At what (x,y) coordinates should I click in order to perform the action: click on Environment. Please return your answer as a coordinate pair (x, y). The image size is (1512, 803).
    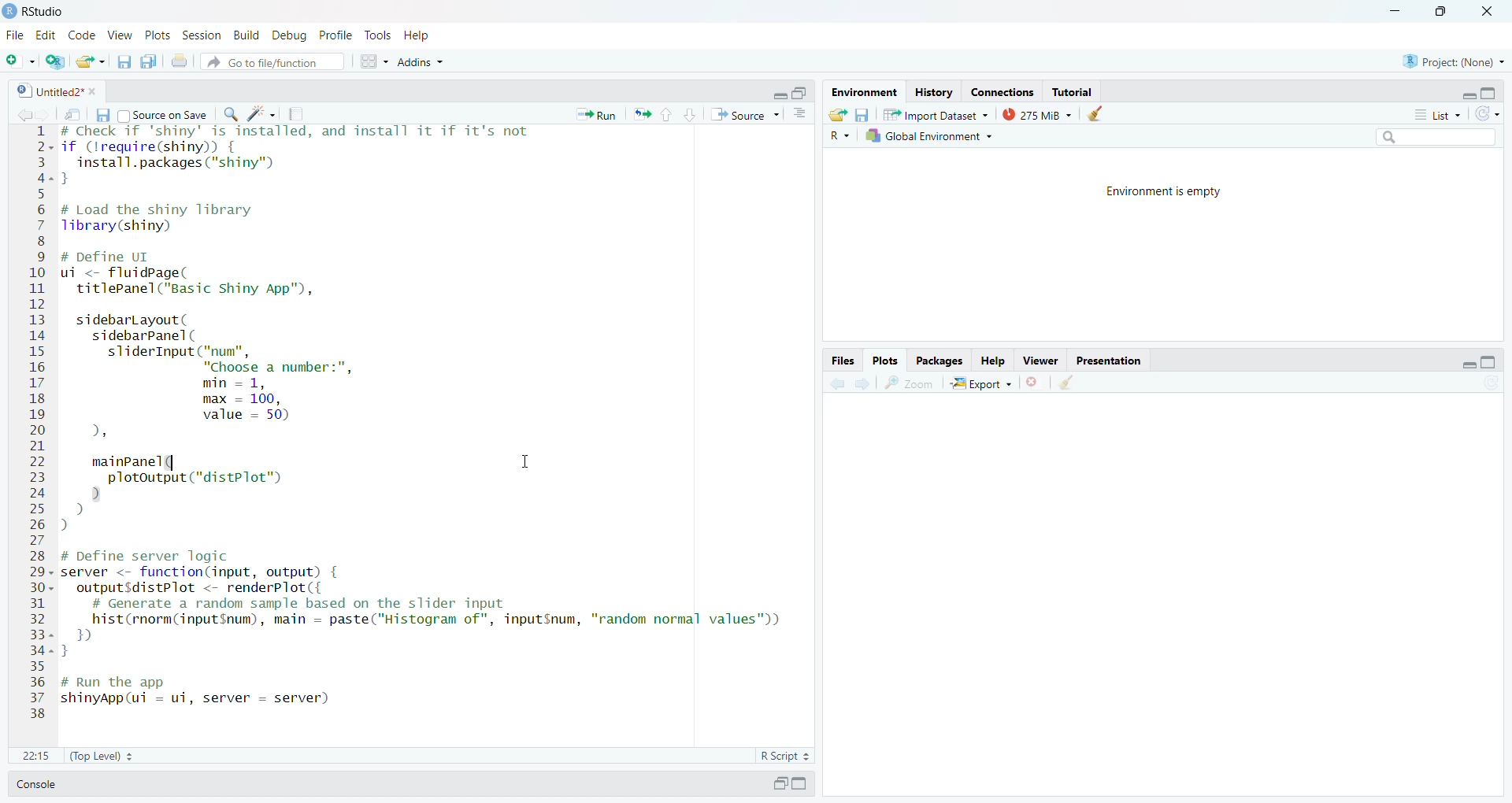
    Looking at the image, I should click on (865, 92).